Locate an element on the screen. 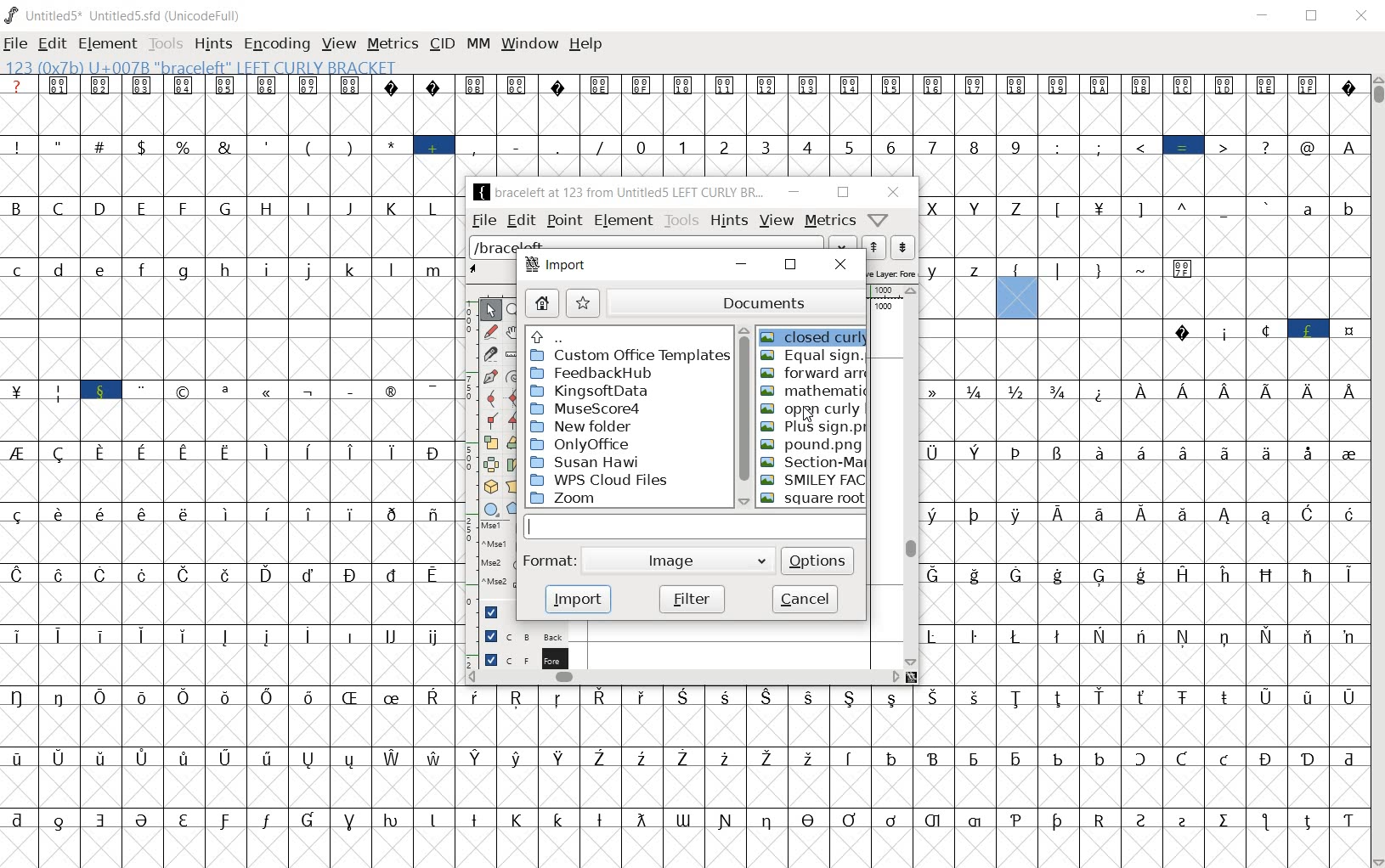  hints is located at coordinates (212, 44).